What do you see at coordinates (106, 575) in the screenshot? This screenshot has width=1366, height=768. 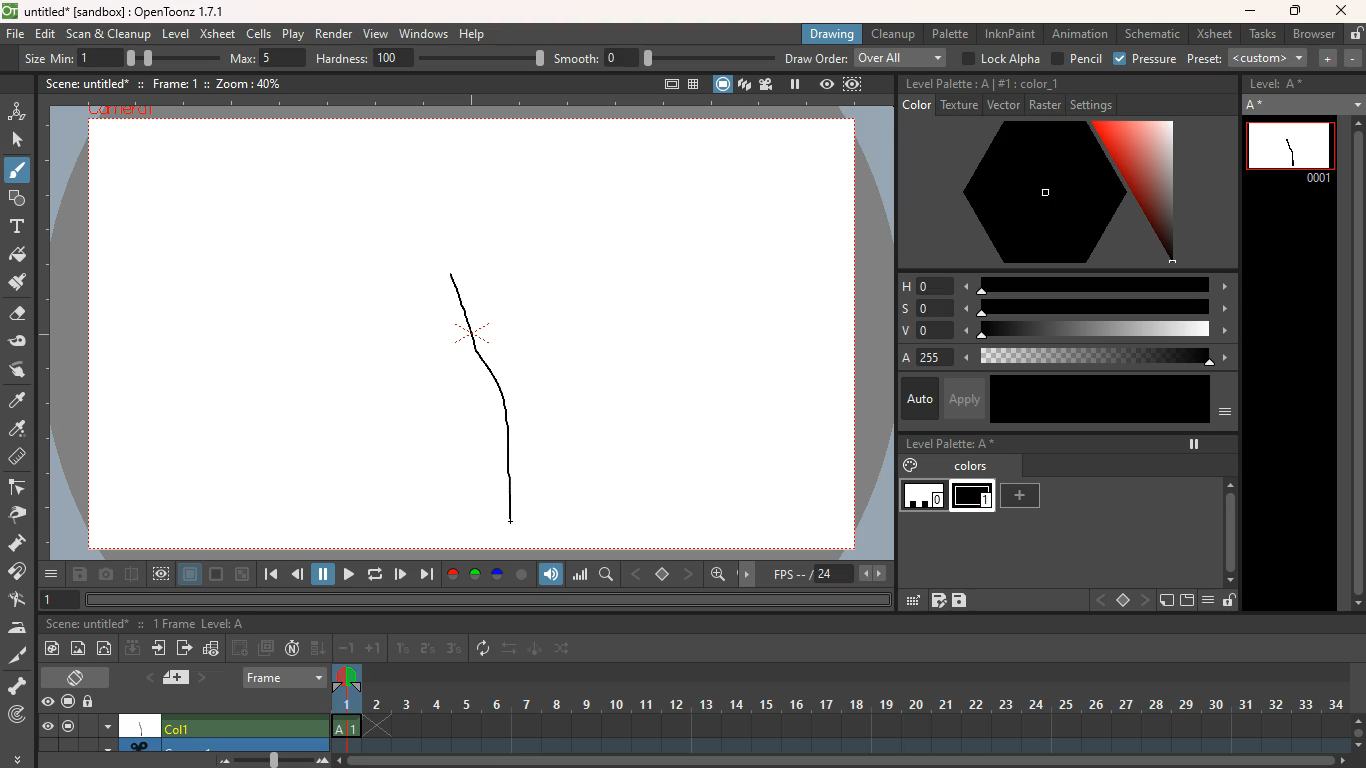 I see `camera` at bounding box center [106, 575].